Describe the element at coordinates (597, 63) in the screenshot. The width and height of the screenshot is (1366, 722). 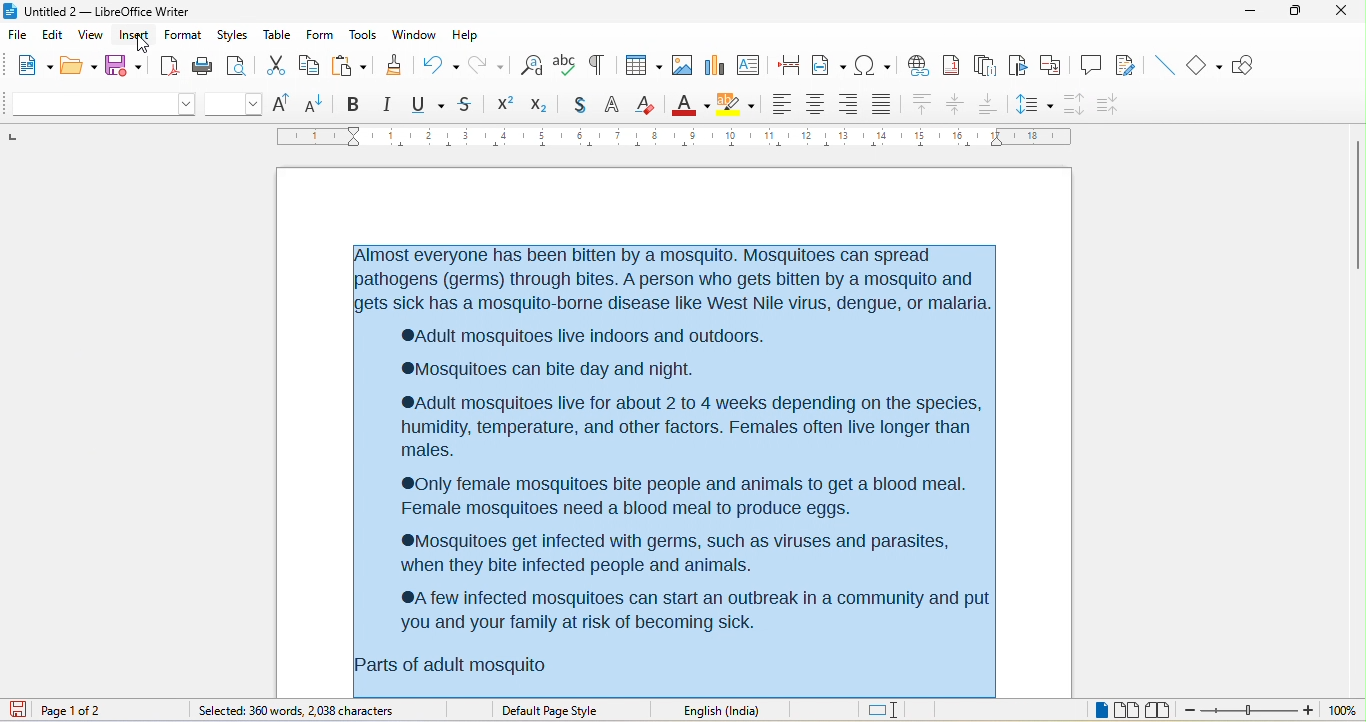
I see `toggle formatting marks` at that location.